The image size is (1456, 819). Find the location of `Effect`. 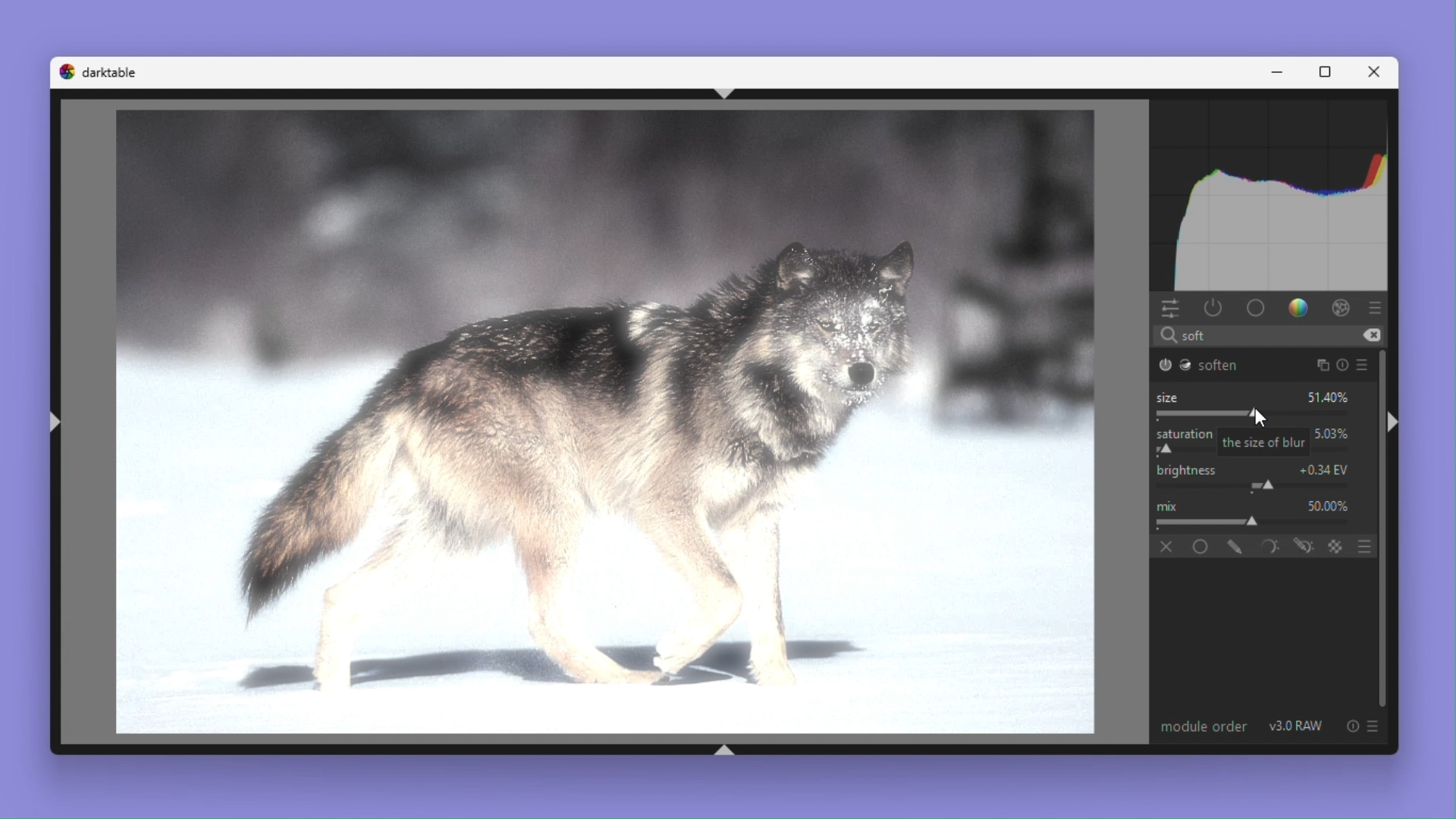

Effect is located at coordinates (1342, 309).